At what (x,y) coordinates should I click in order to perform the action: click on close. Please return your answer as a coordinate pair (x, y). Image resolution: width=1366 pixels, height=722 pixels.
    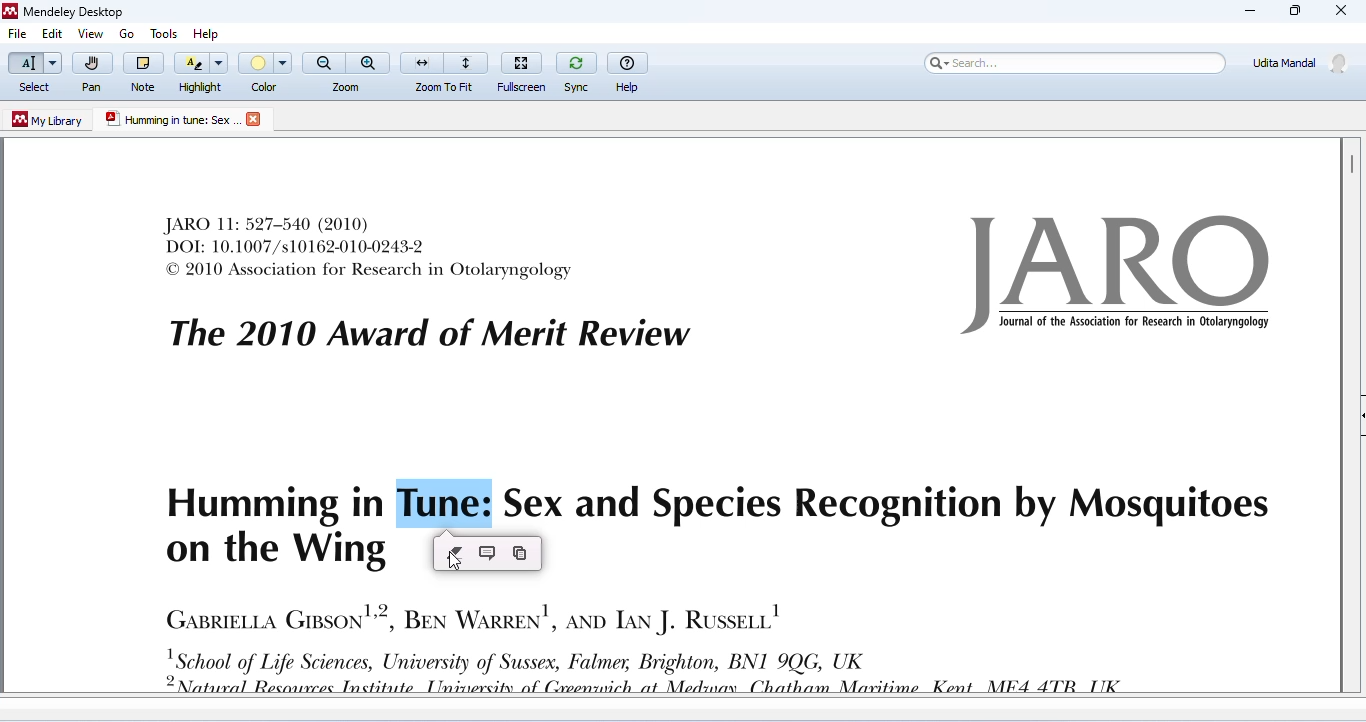
    Looking at the image, I should click on (1342, 12).